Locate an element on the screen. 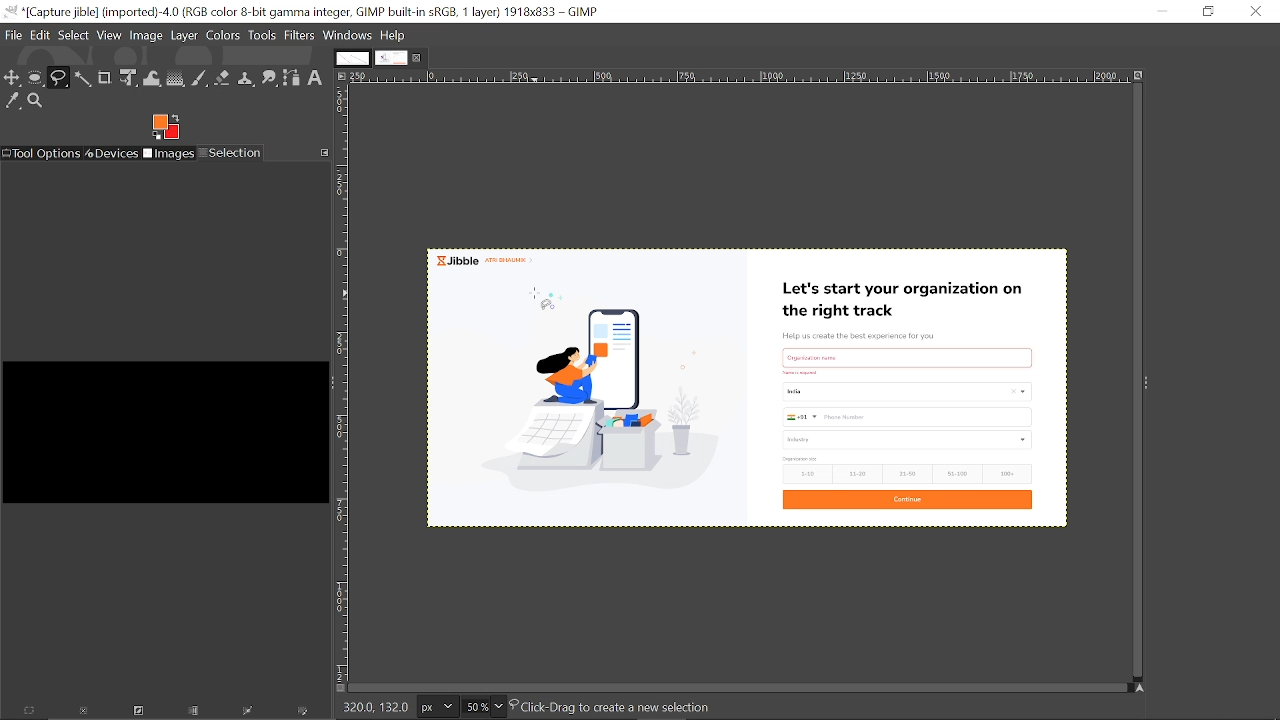 The image size is (1280, 720). Eraser tool is located at coordinates (223, 78).